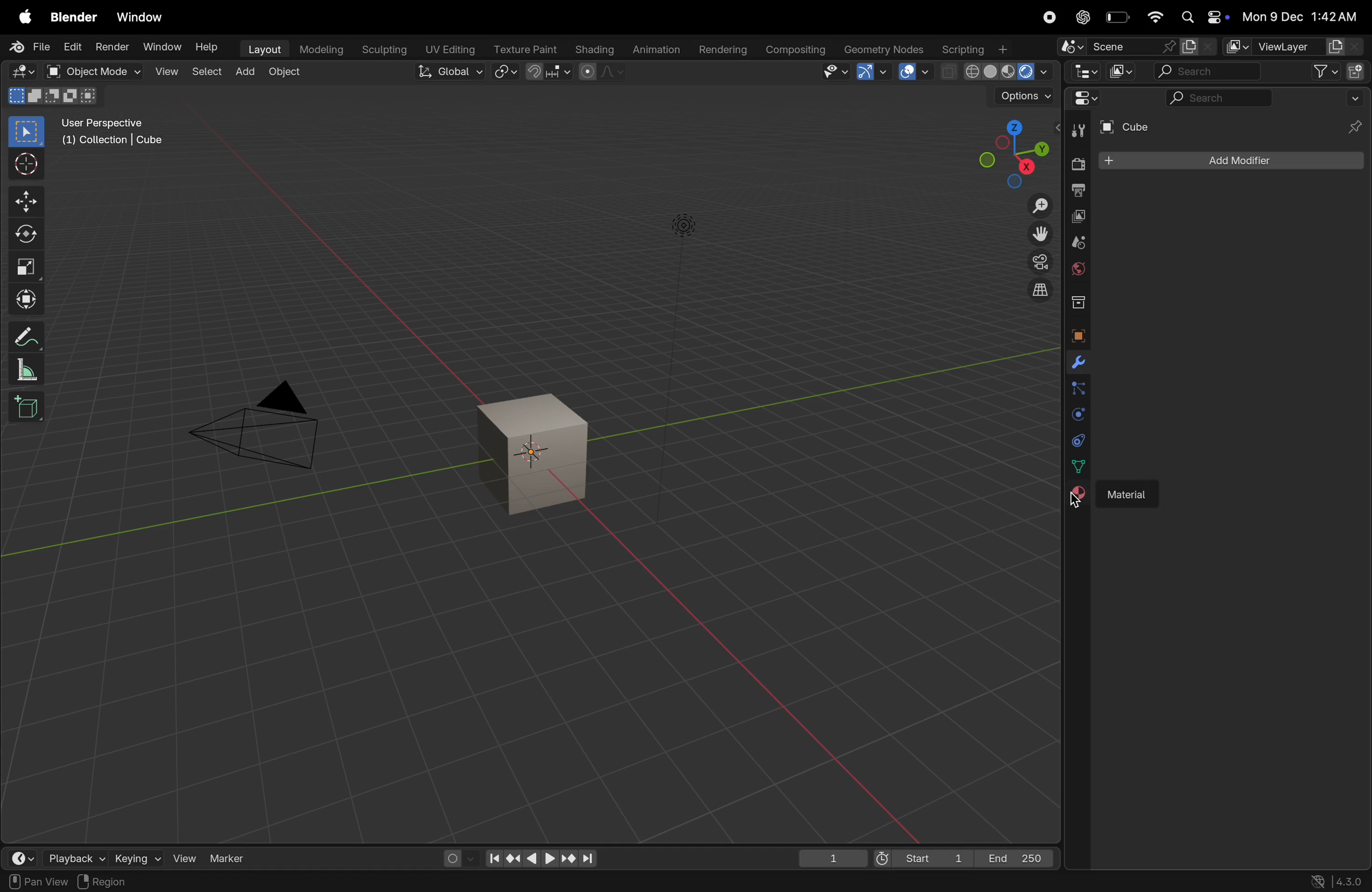 The height and width of the screenshot is (892, 1372). Describe the element at coordinates (685, 227) in the screenshot. I see `Lights` at that location.